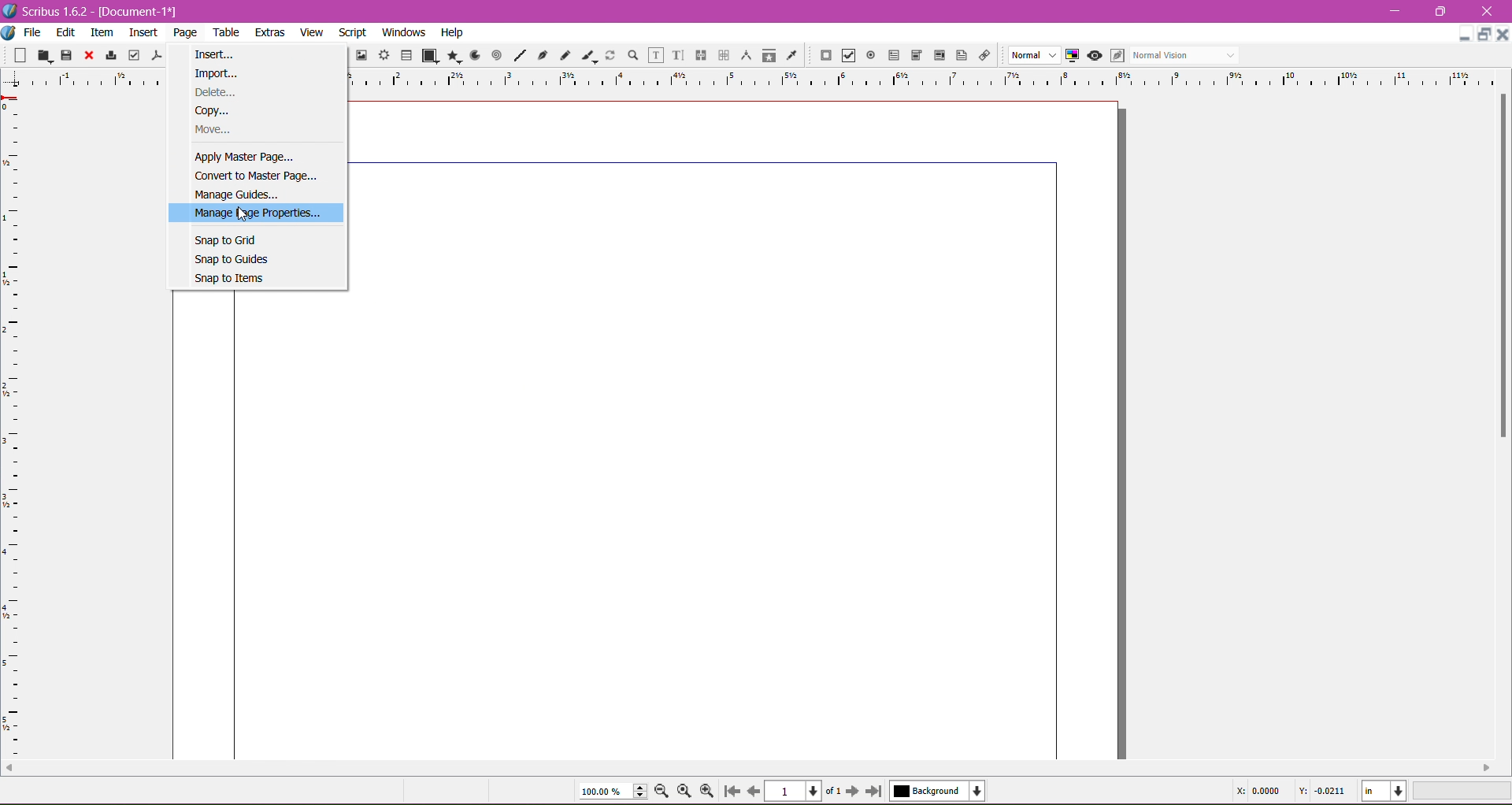 The width and height of the screenshot is (1512, 805). Describe the element at coordinates (67, 54) in the screenshot. I see `Save` at that location.